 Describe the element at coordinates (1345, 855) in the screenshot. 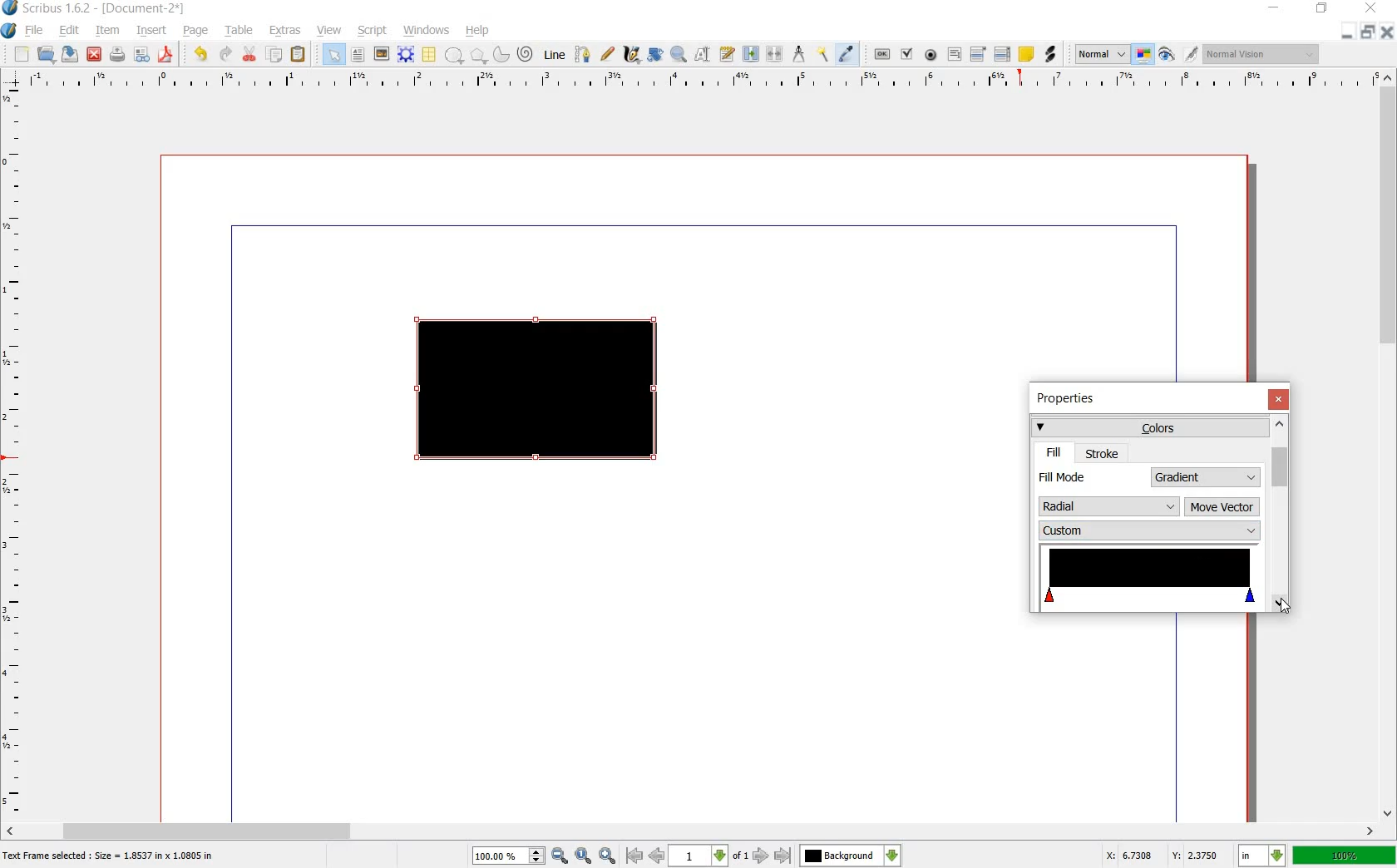

I see `100%` at that location.